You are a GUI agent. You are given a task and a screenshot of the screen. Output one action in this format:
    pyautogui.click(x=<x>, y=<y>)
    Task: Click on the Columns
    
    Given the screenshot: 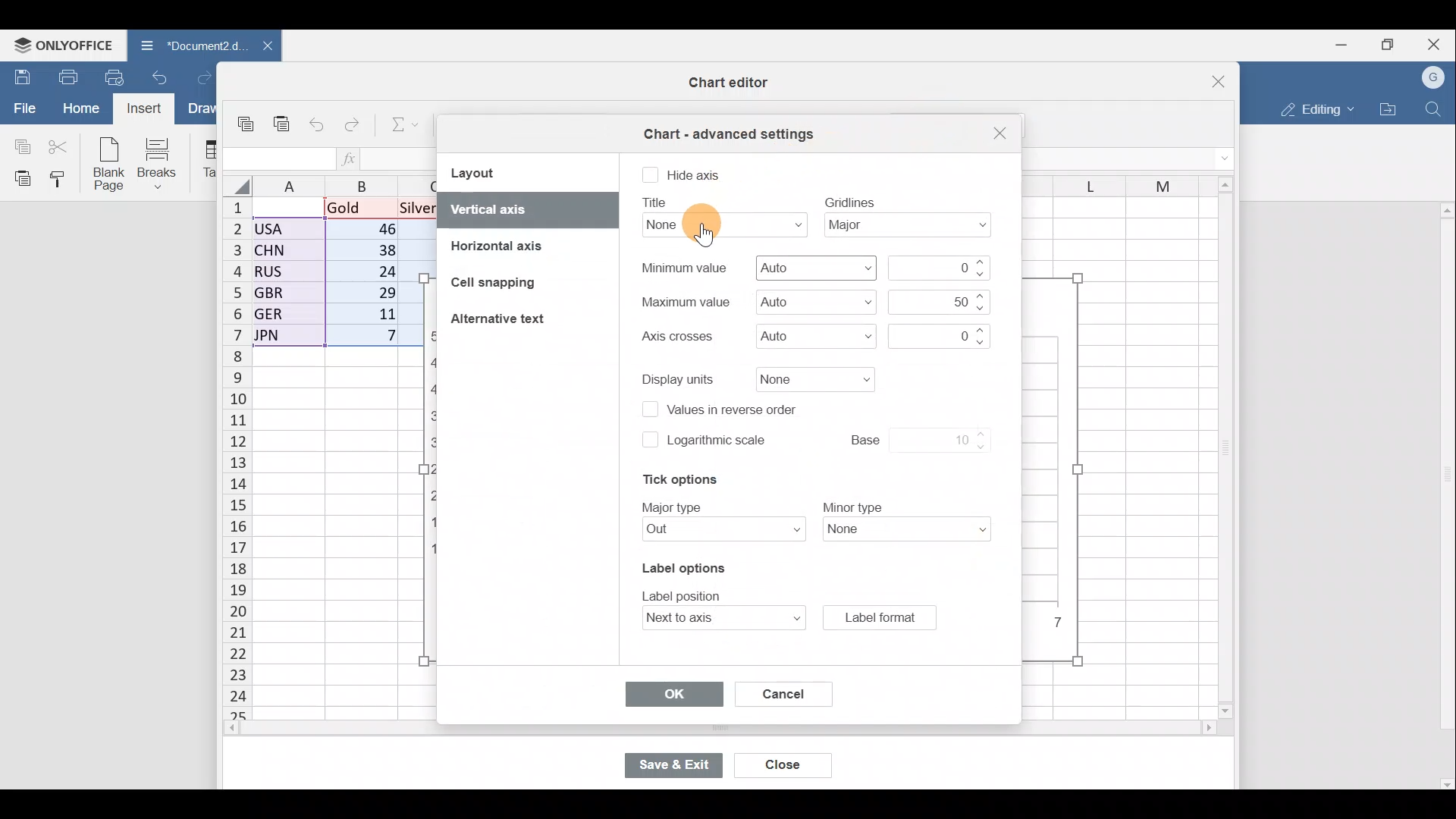 What is the action you would take?
    pyautogui.click(x=337, y=186)
    